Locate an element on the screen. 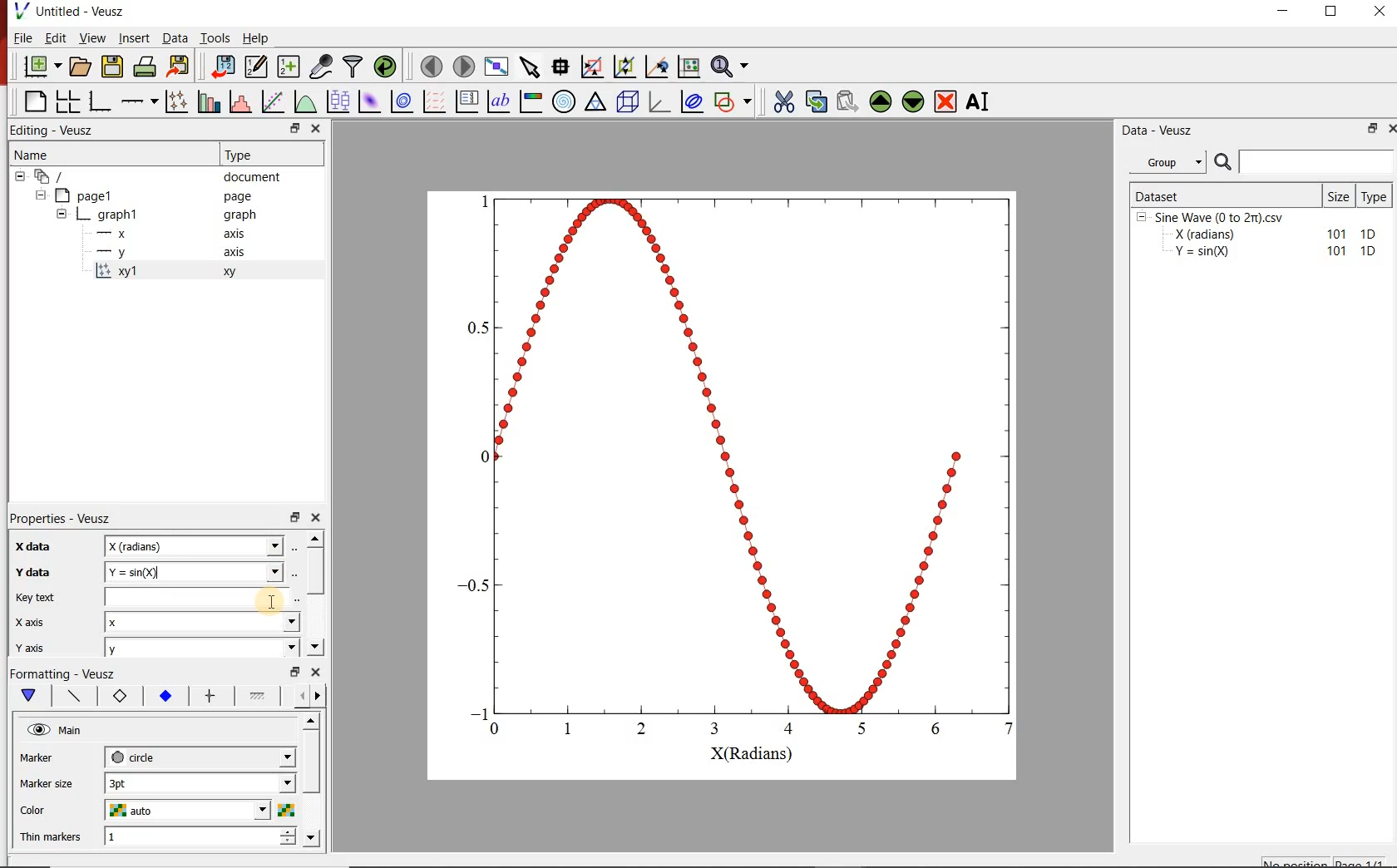 This screenshot has height=868, width=1397. Untitled - Veusz is located at coordinates (81, 11).